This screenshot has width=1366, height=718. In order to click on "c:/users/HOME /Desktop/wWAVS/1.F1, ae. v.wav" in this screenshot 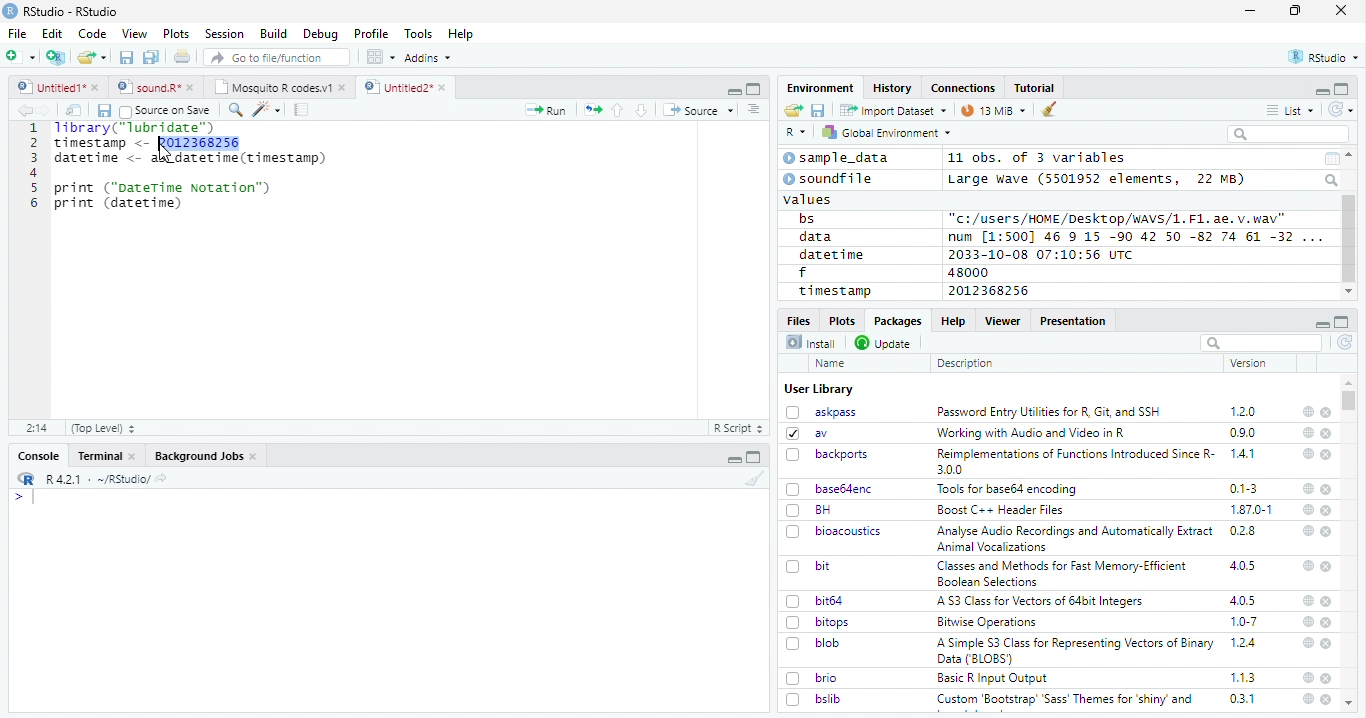, I will do `click(1119, 217)`.